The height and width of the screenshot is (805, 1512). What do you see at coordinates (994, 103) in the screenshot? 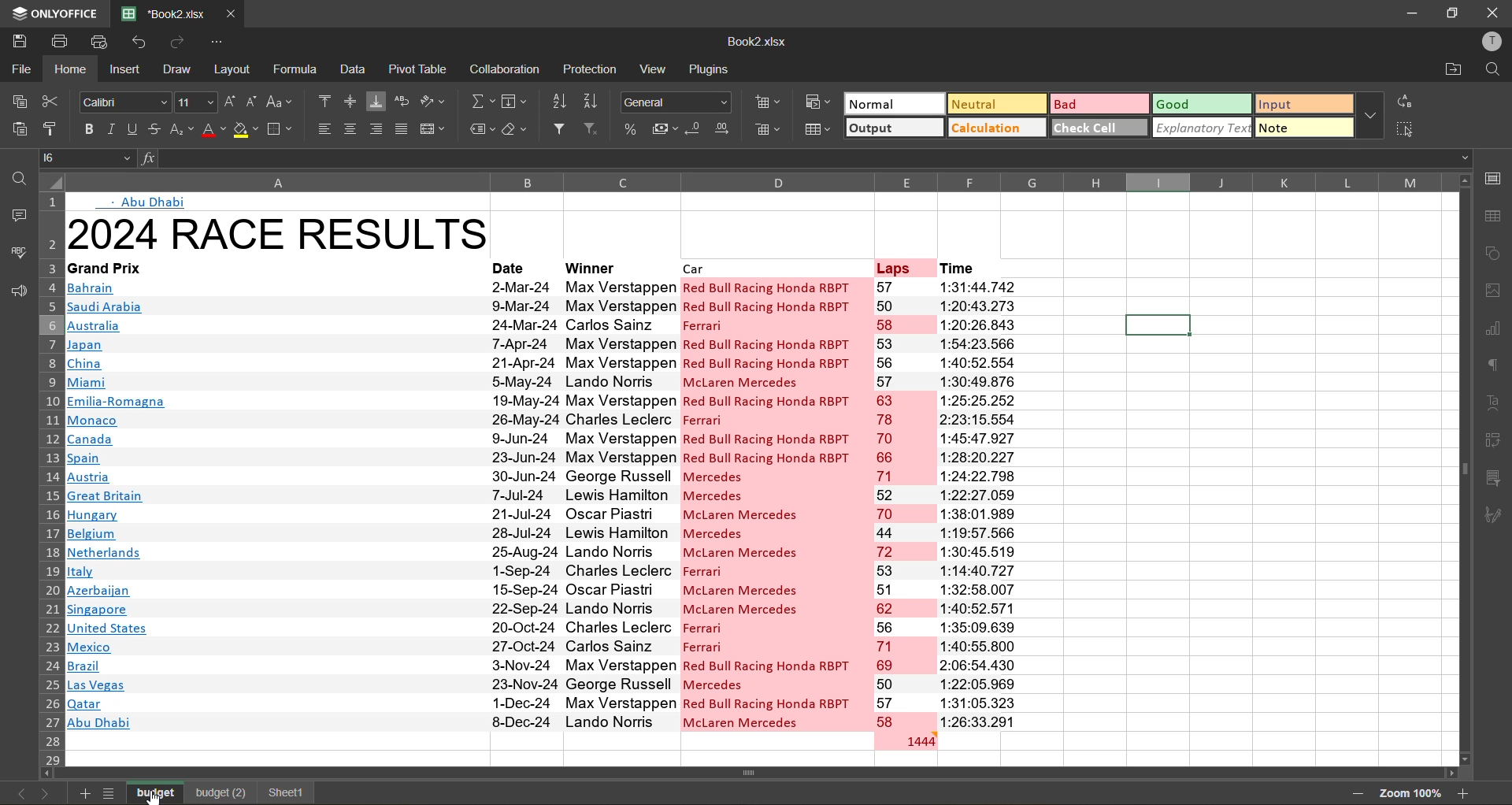
I see `neutral` at bounding box center [994, 103].